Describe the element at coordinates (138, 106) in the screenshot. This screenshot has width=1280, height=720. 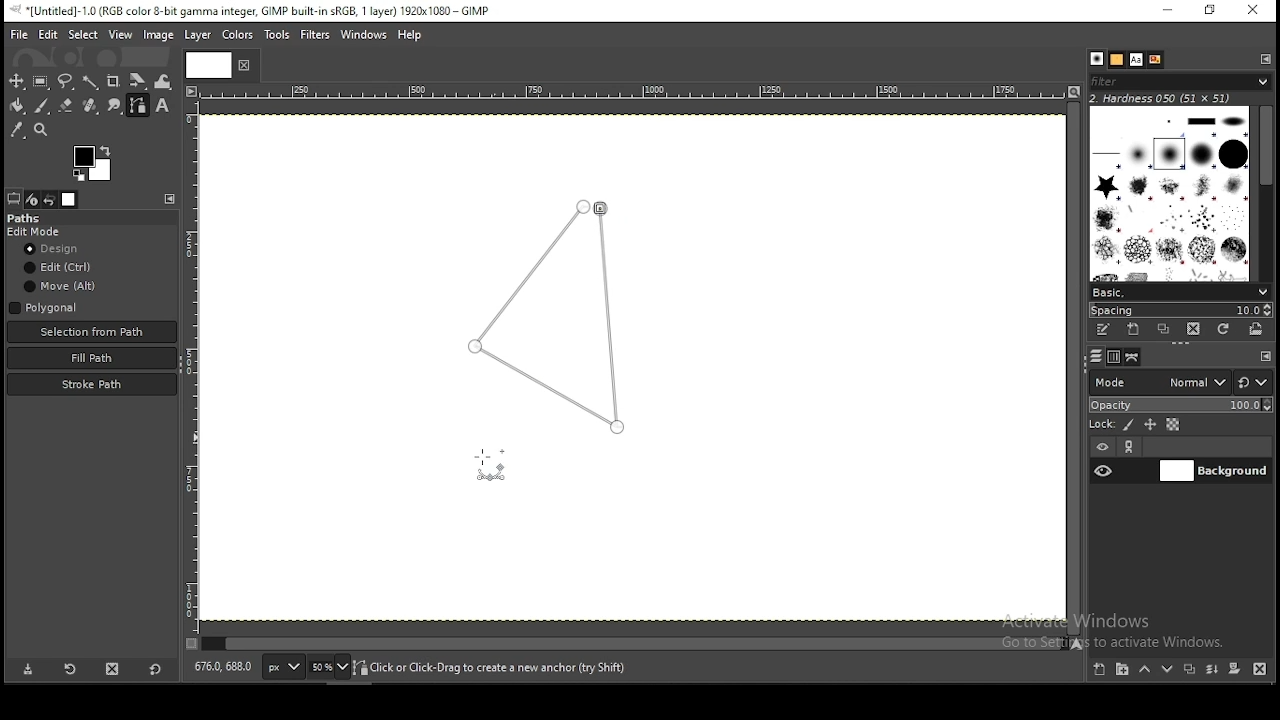
I see `paths tool` at that location.